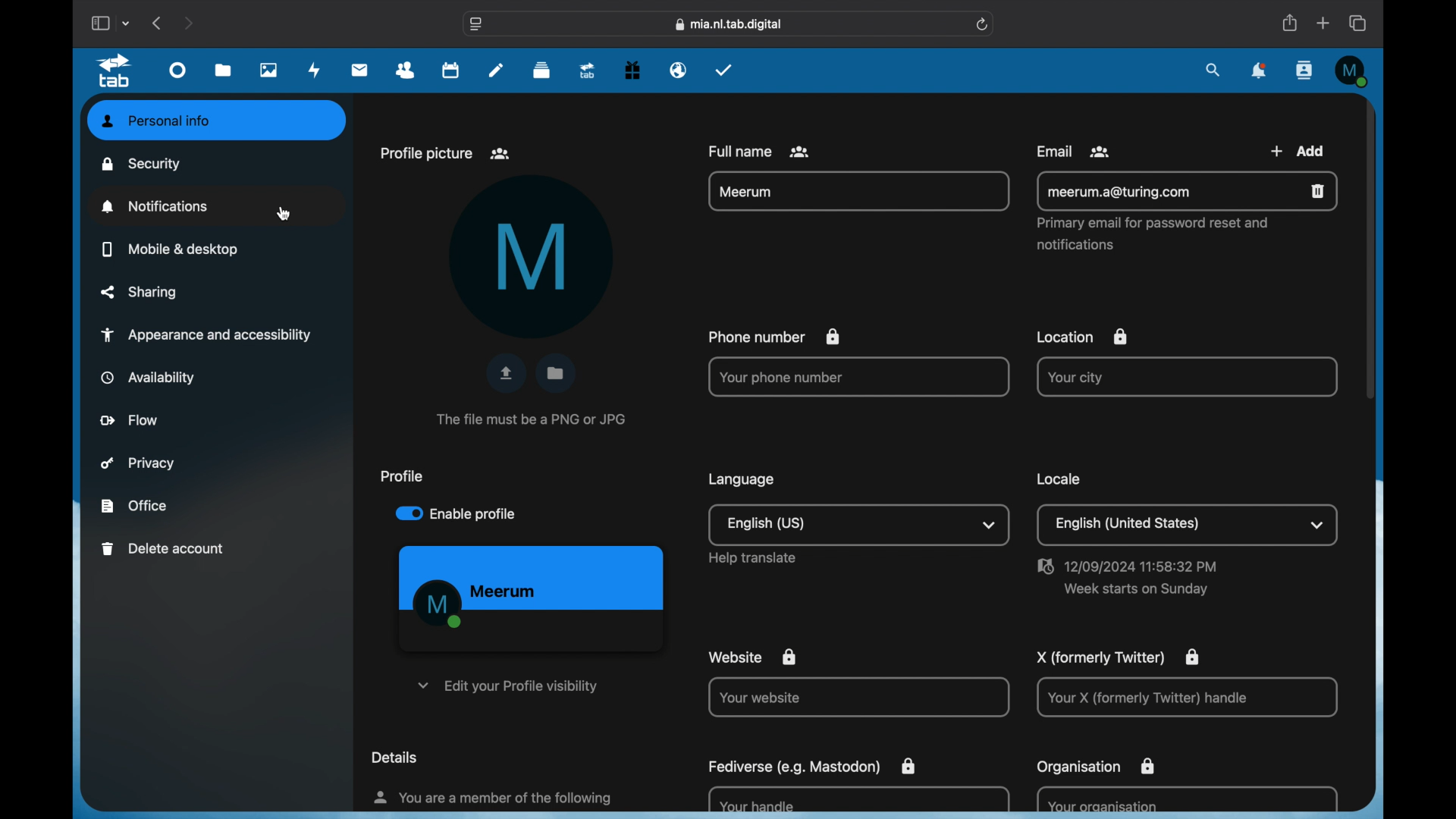  Describe the element at coordinates (632, 70) in the screenshot. I see `free trial` at that location.